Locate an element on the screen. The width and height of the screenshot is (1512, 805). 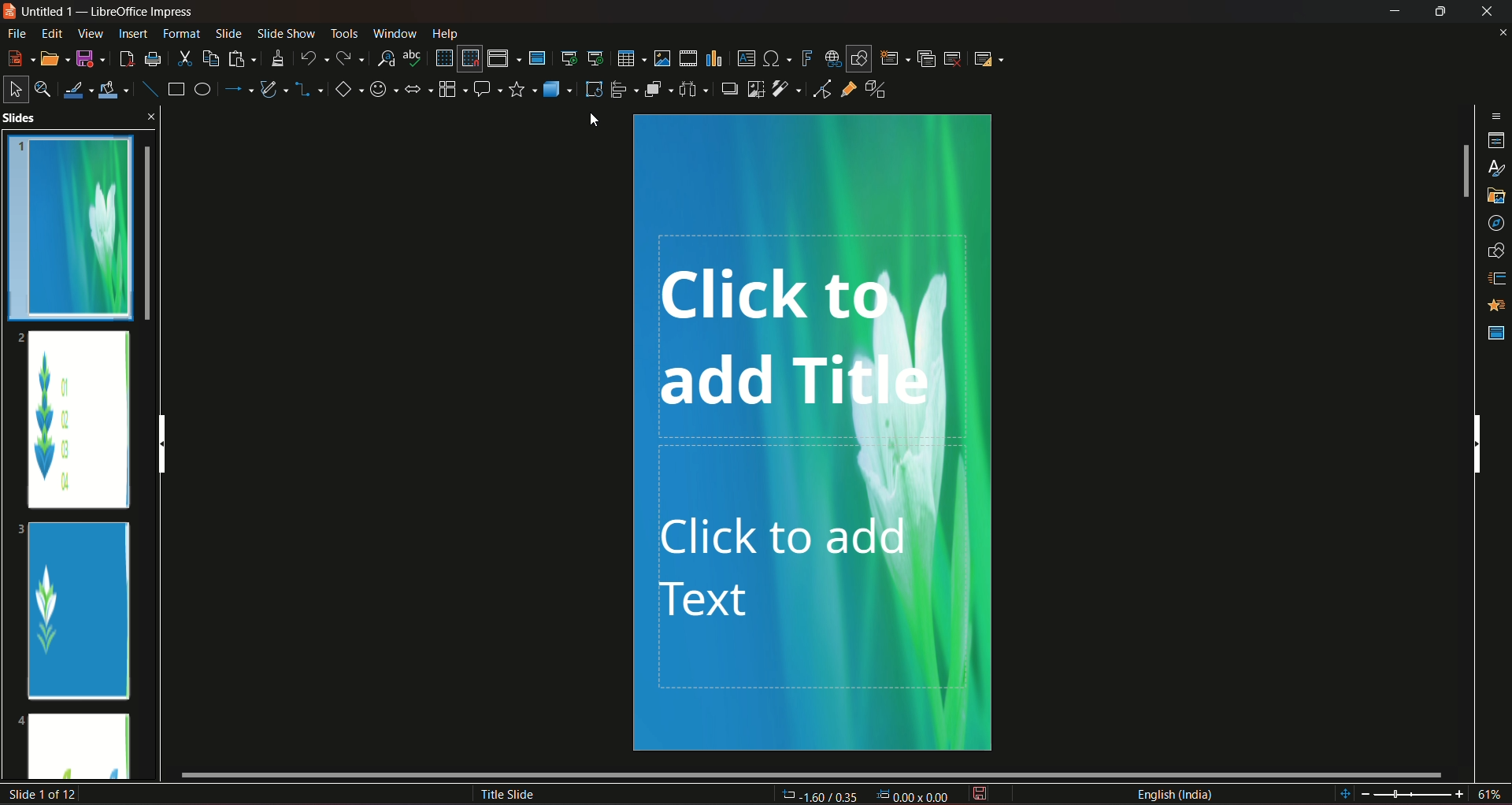
click to add titl is located at coordinates (798, 335).